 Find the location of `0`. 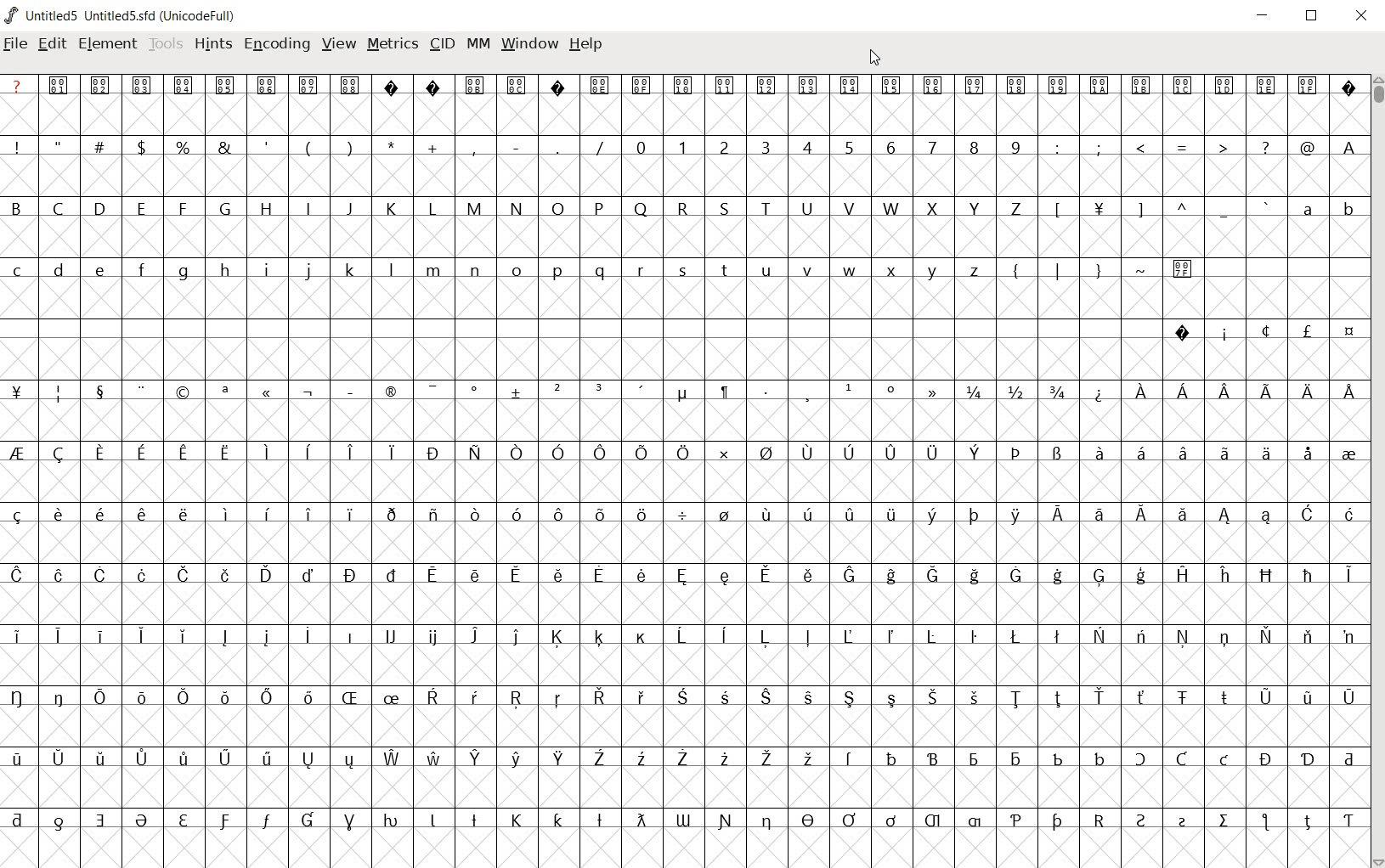

0 is located at coordinates (639, 146).